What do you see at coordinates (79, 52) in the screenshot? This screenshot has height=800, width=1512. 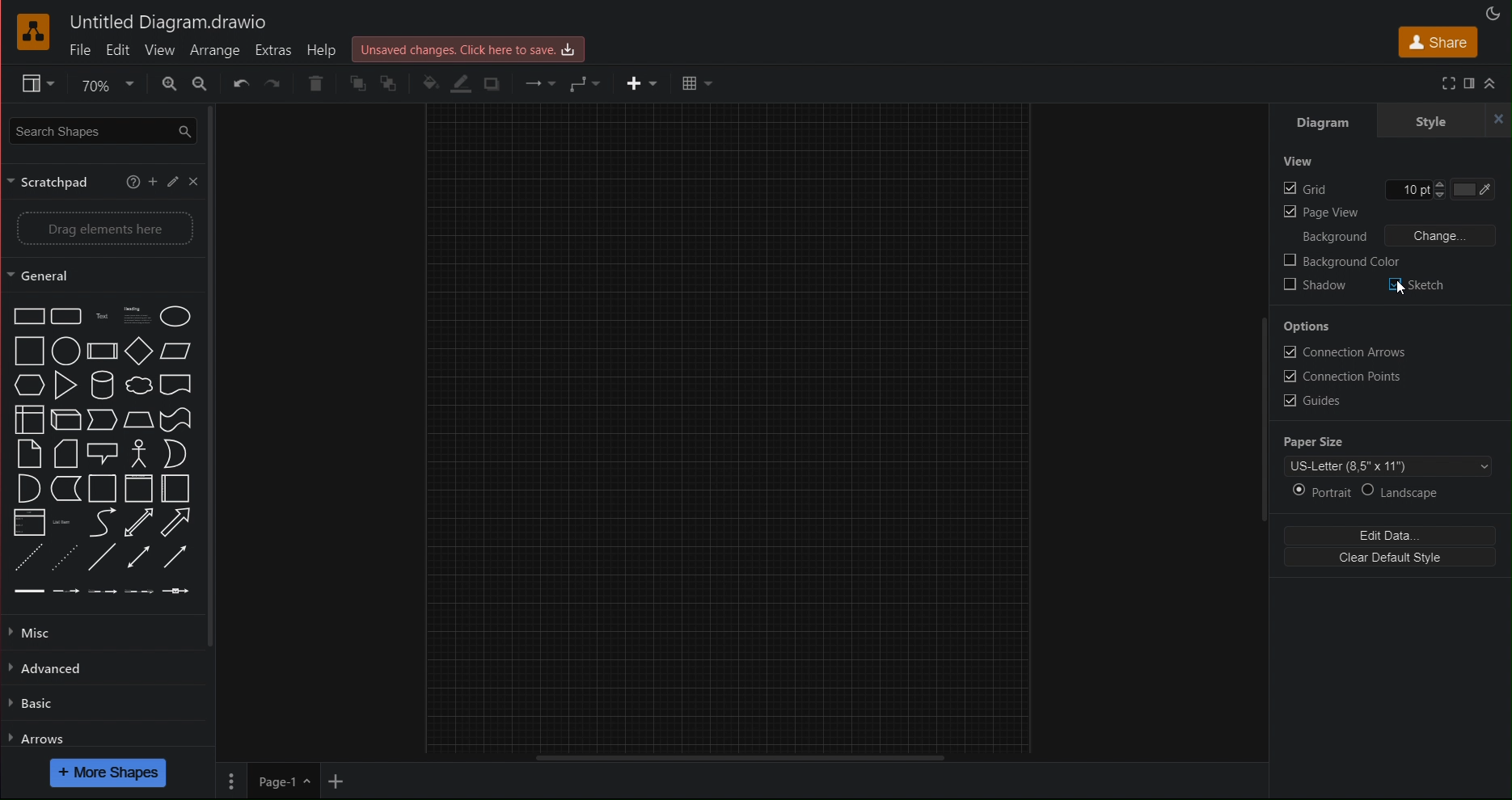 I see `File` at bounding box center [79, 52].